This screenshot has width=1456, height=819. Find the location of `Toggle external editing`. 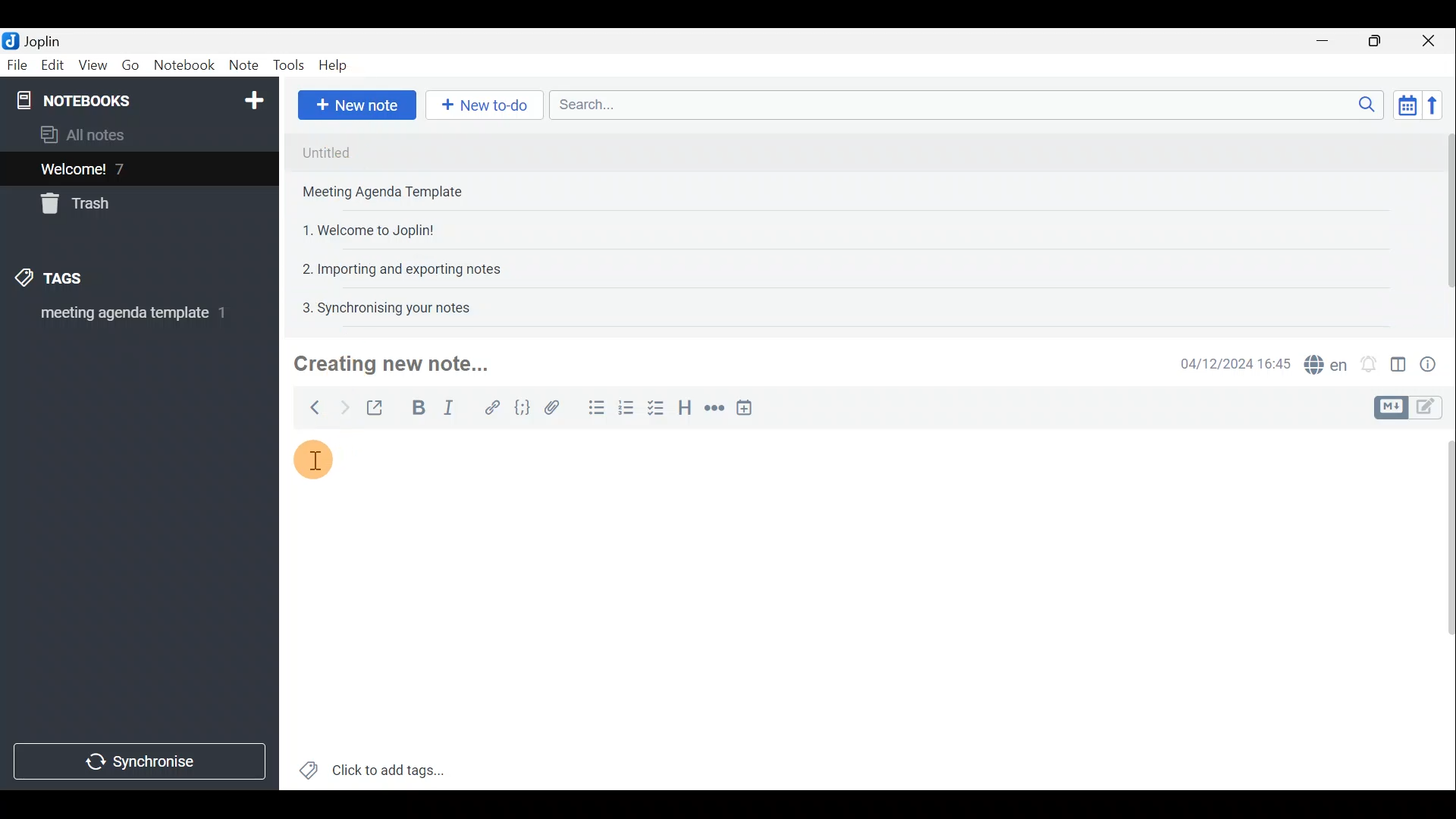

Toggle external editing is located at coordinates (376, 406).